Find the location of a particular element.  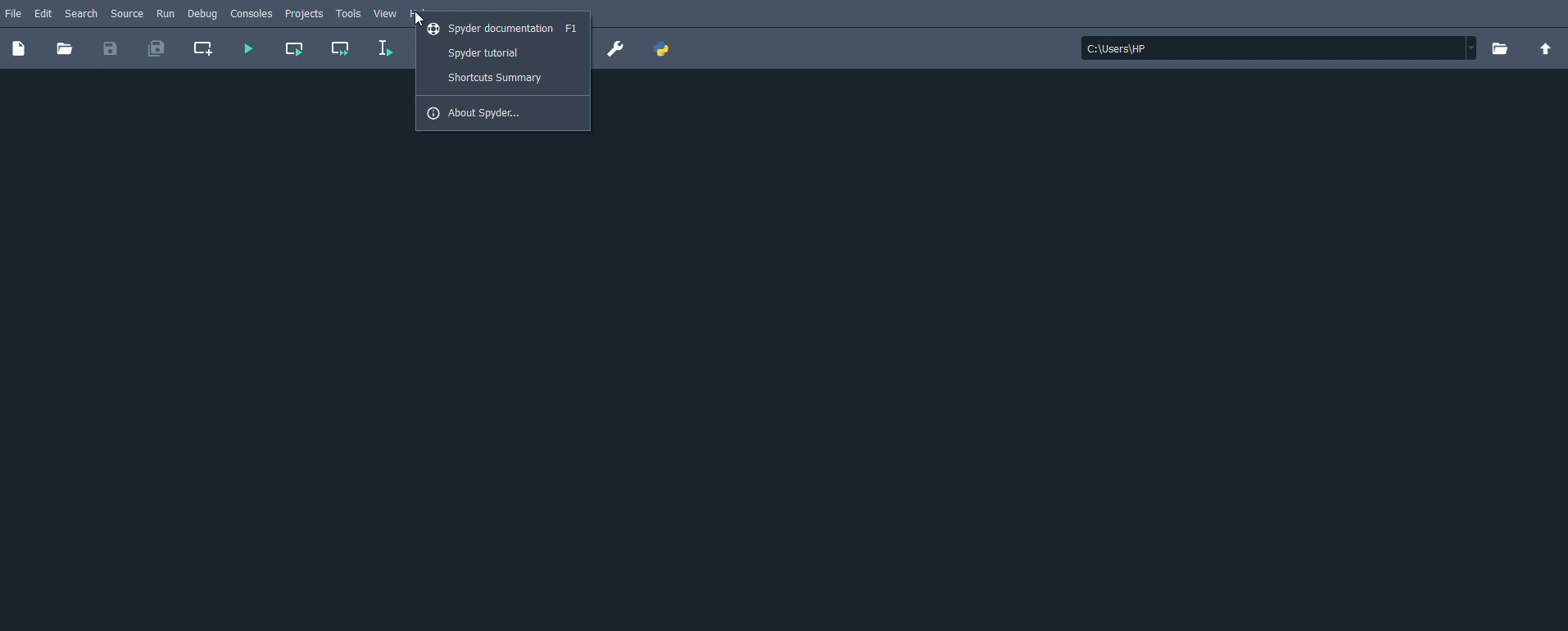

About Spyder is located at coordinates (481, 113).